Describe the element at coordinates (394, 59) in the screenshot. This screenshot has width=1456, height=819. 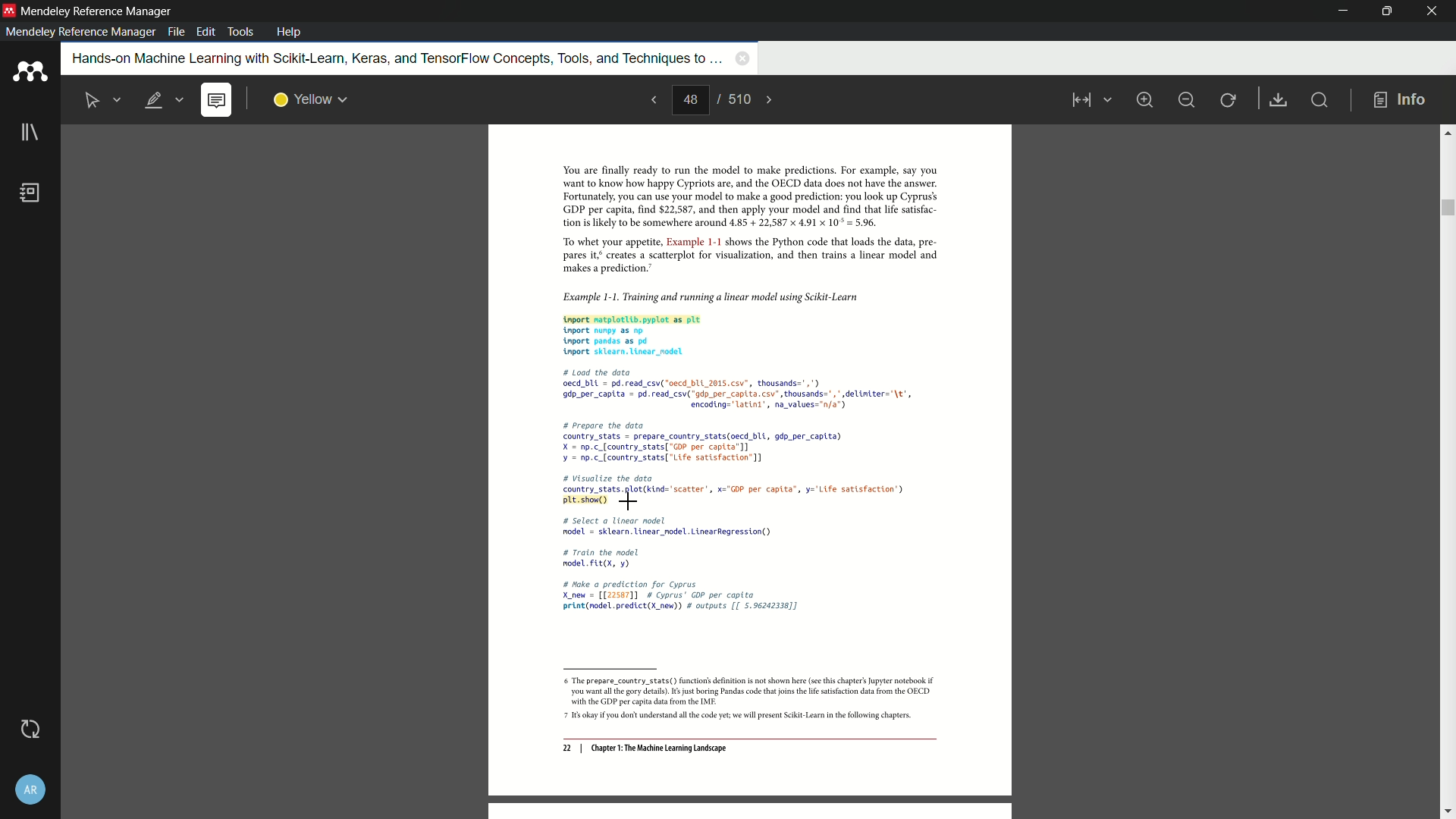
I see `book name` at that location.